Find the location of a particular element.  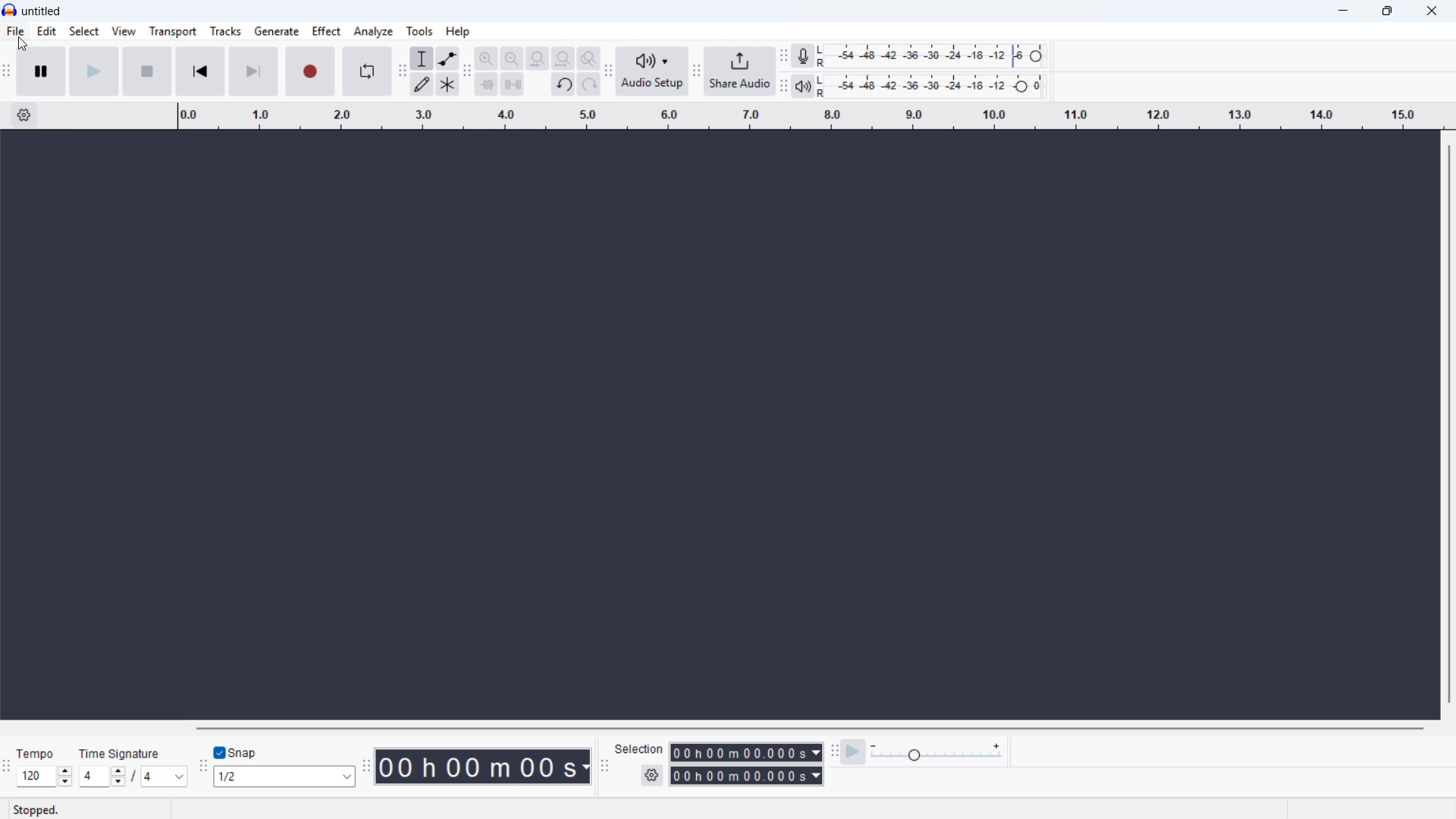

Zoom in  is located at coordinates (487, 58).